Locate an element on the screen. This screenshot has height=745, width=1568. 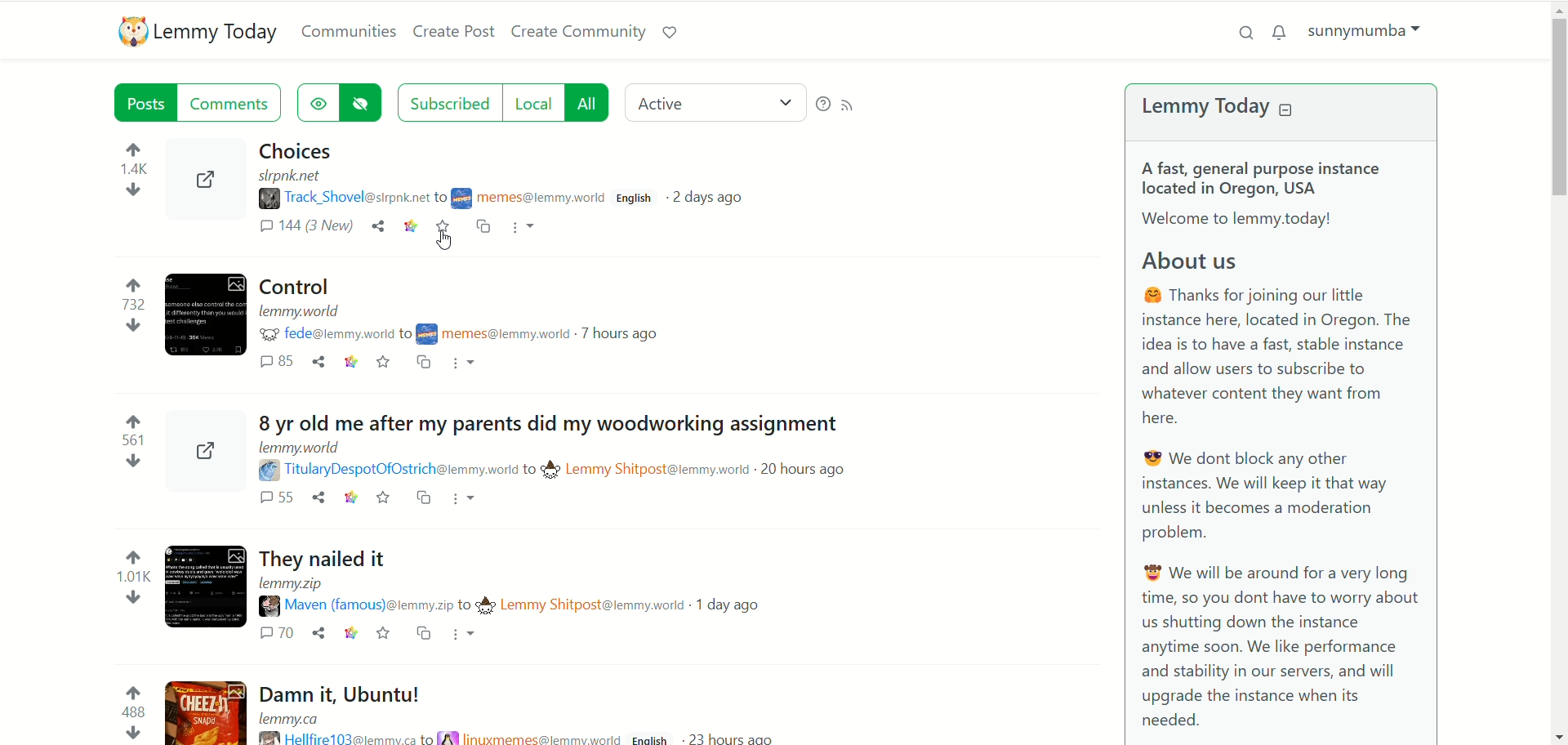
post on "Choices" is located at coordinates (432, 177).